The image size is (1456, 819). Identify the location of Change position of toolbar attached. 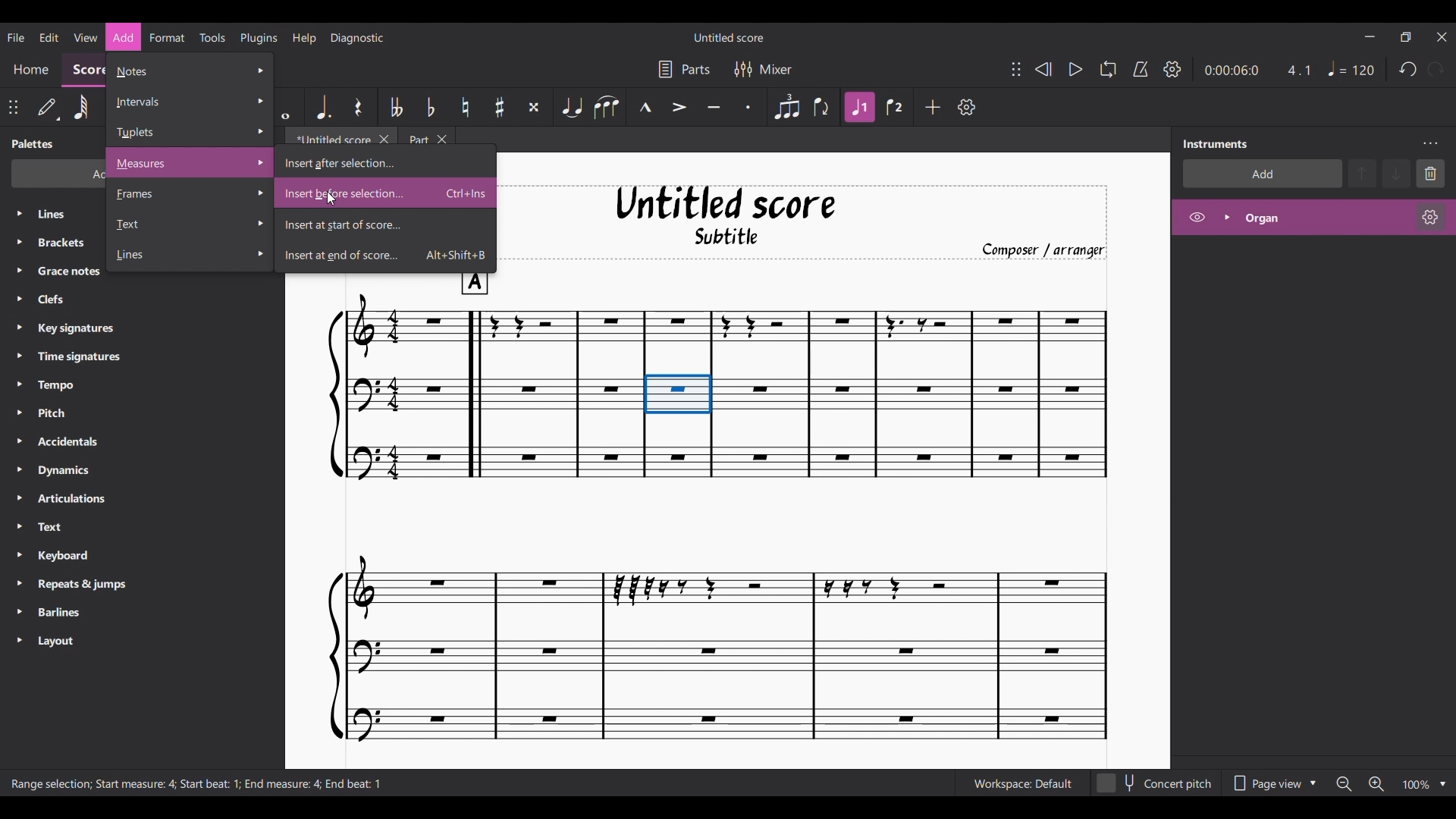
(13, 107).